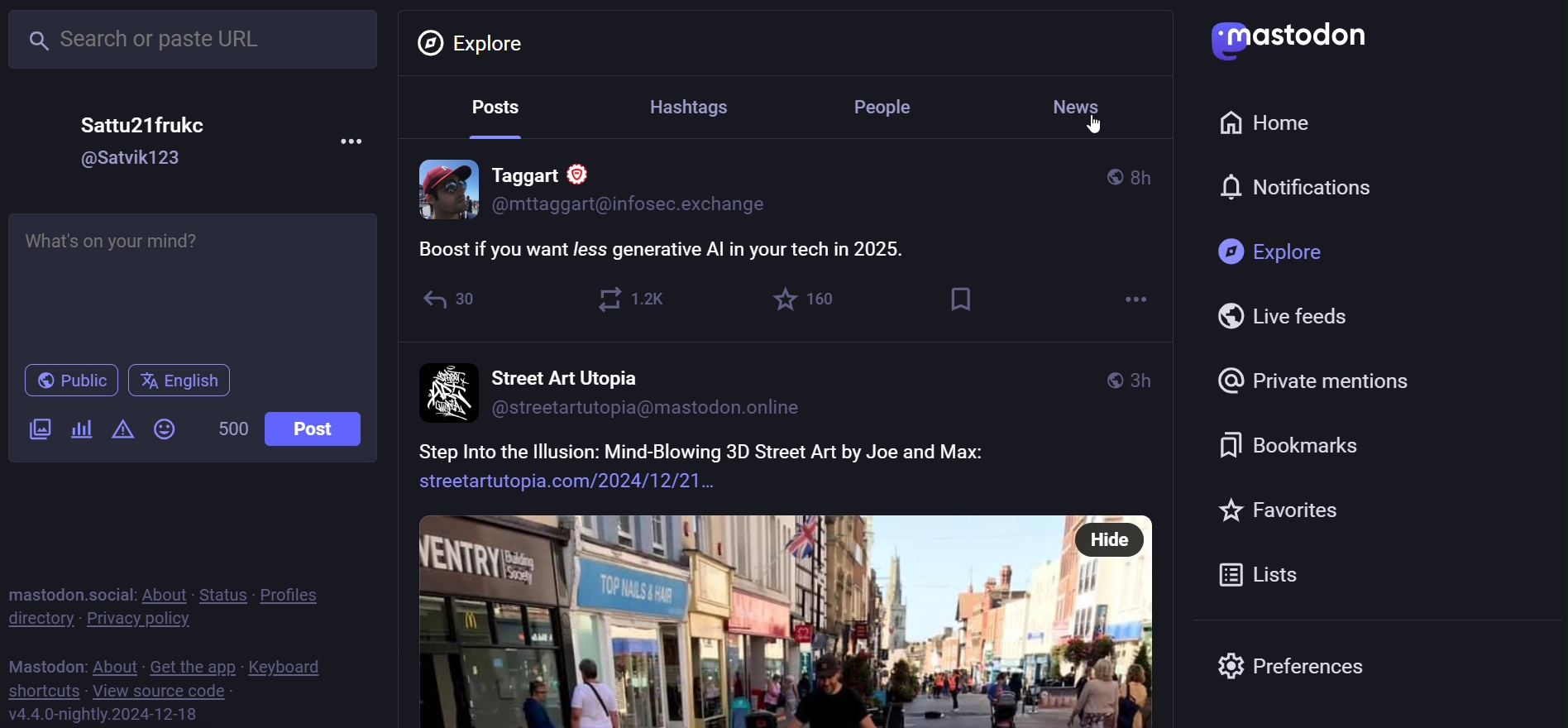 The width and height of the screenshot is (1568, 728). What do you see at coordinates (197, 282) in the screenshot?
I see `Whats on your mind` at bounding box center [197, 282].